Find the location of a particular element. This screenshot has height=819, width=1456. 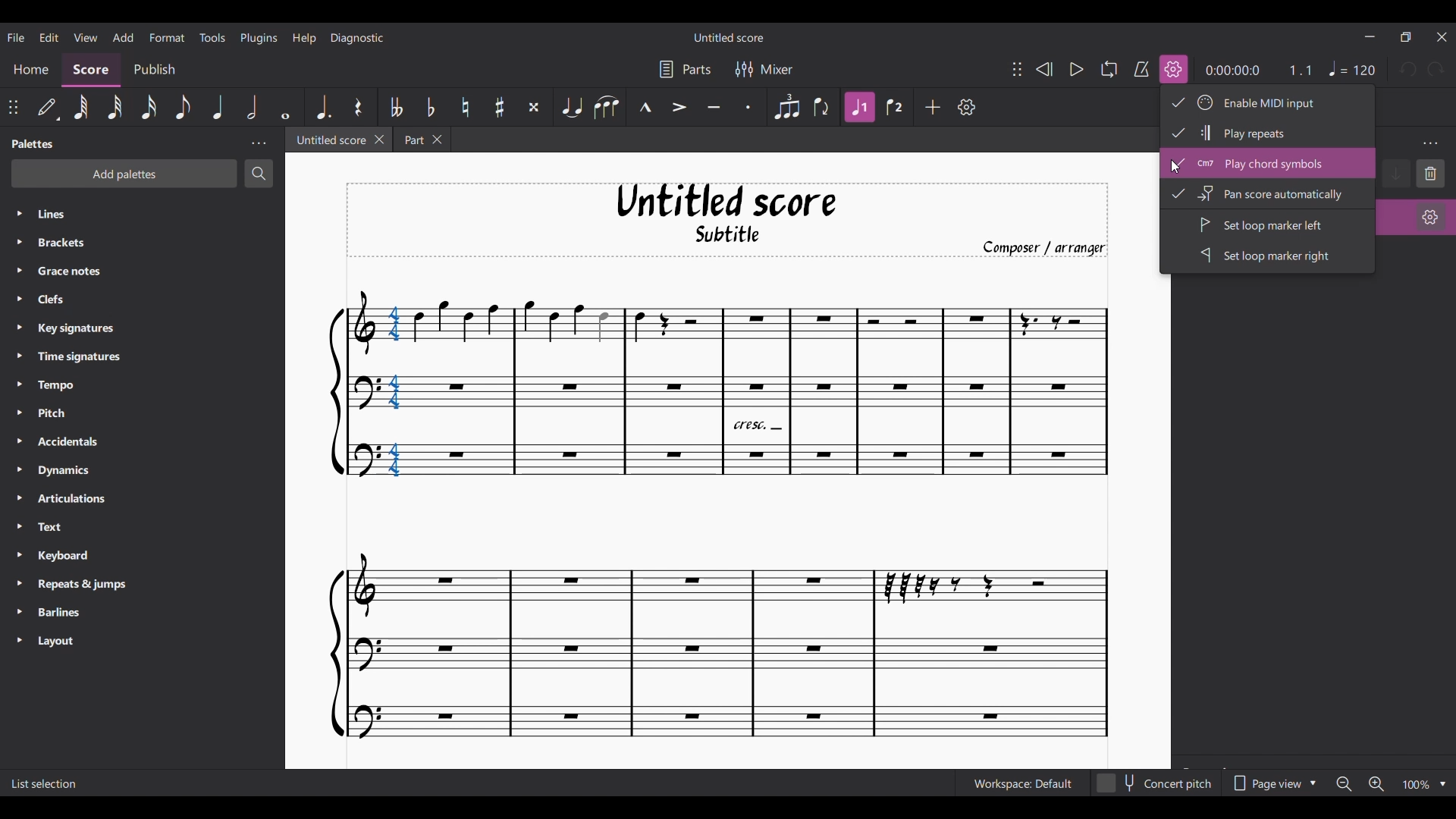

Whole note is located at coordinates (285, 107).